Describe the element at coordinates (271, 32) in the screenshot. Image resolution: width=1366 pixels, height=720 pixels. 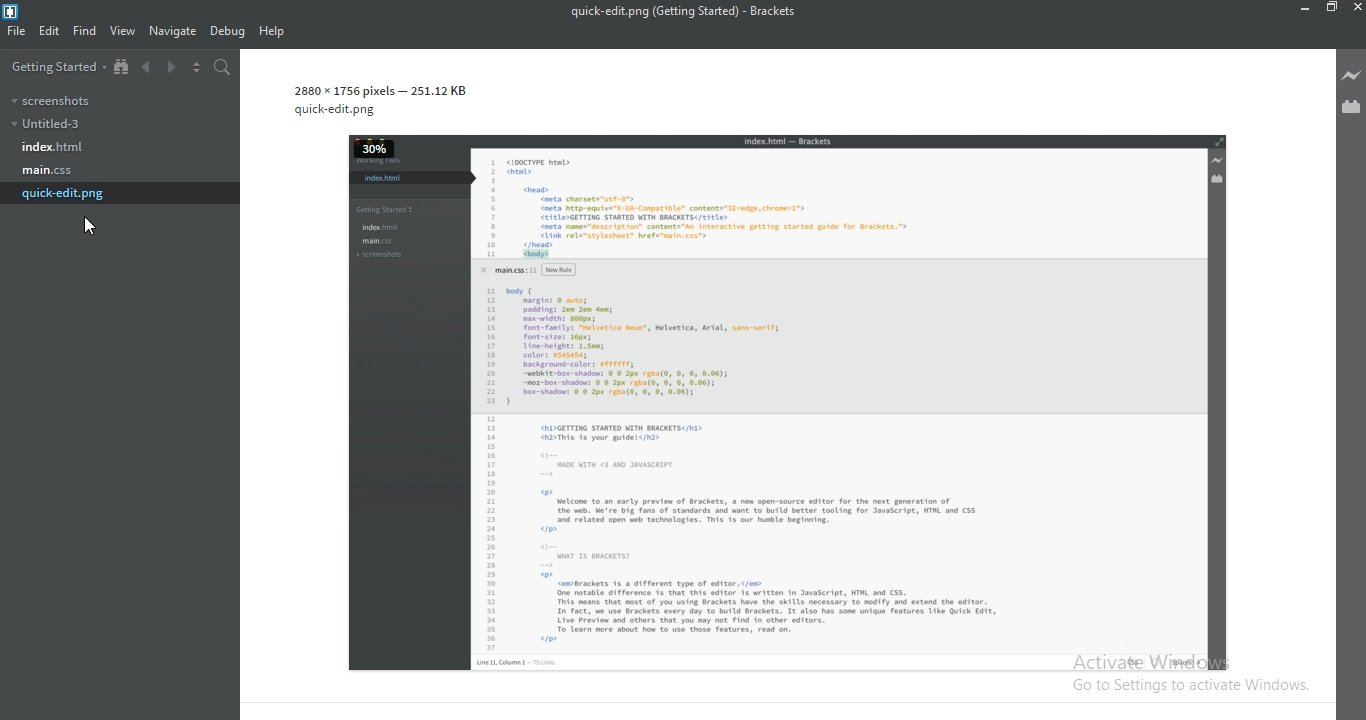
I see `help` at that location.